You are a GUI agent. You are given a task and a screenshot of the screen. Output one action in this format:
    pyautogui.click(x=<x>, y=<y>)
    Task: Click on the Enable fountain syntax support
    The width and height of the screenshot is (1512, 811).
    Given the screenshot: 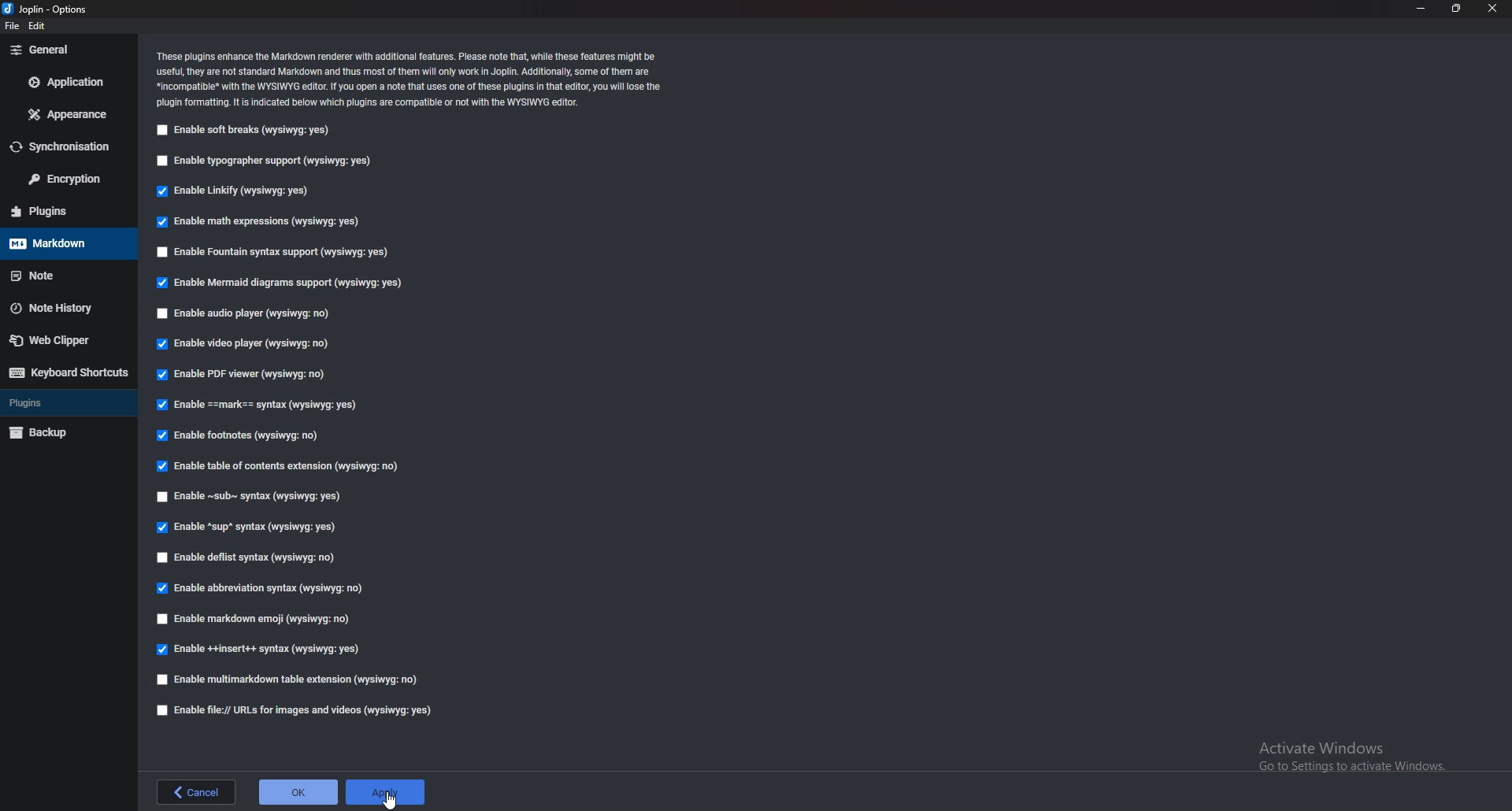 What is the action you would take?
    pyautogui.click(x=286, y=253)
    